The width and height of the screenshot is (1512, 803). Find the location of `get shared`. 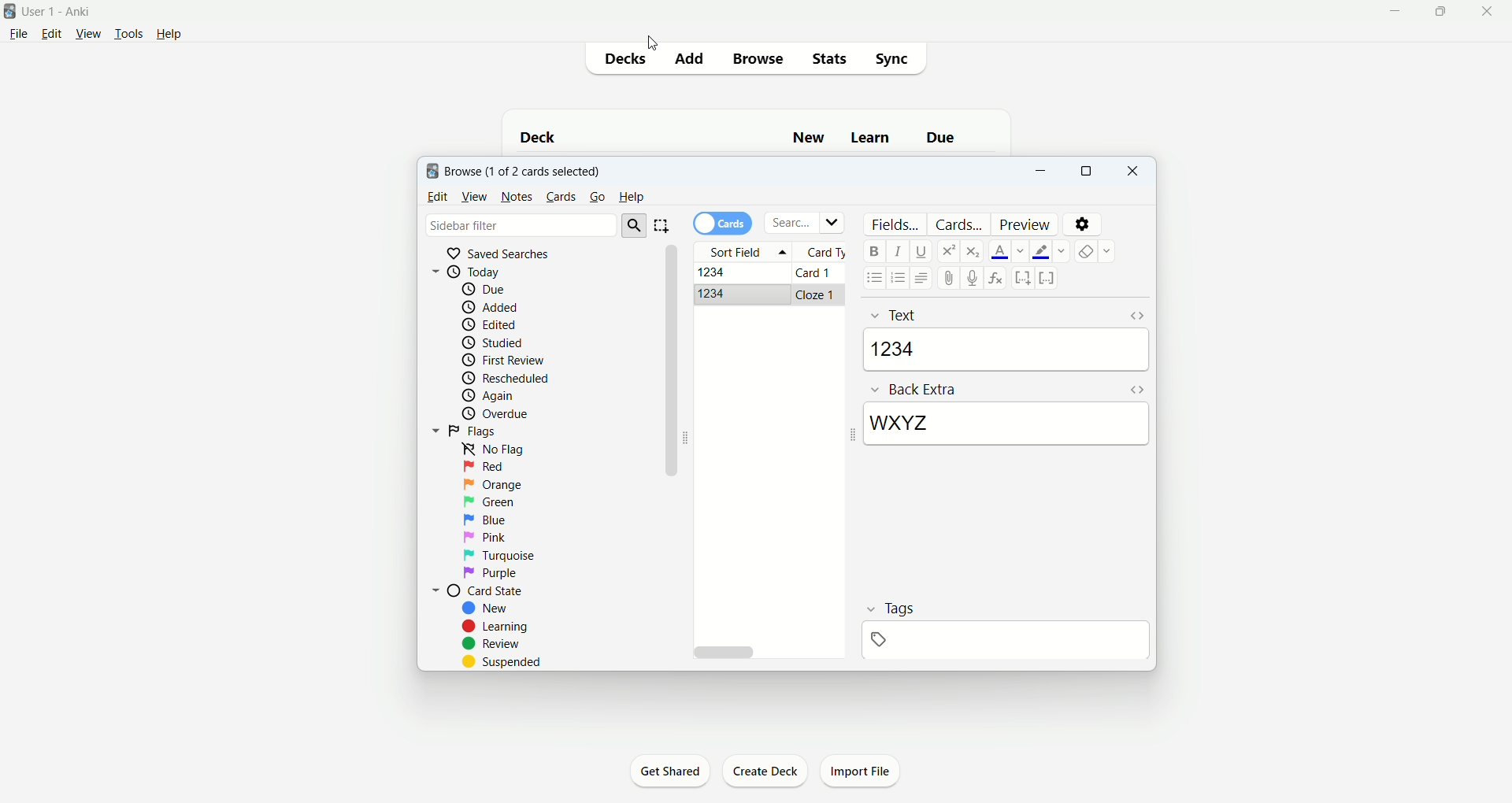

get shared is located at coordinates (670, 772).